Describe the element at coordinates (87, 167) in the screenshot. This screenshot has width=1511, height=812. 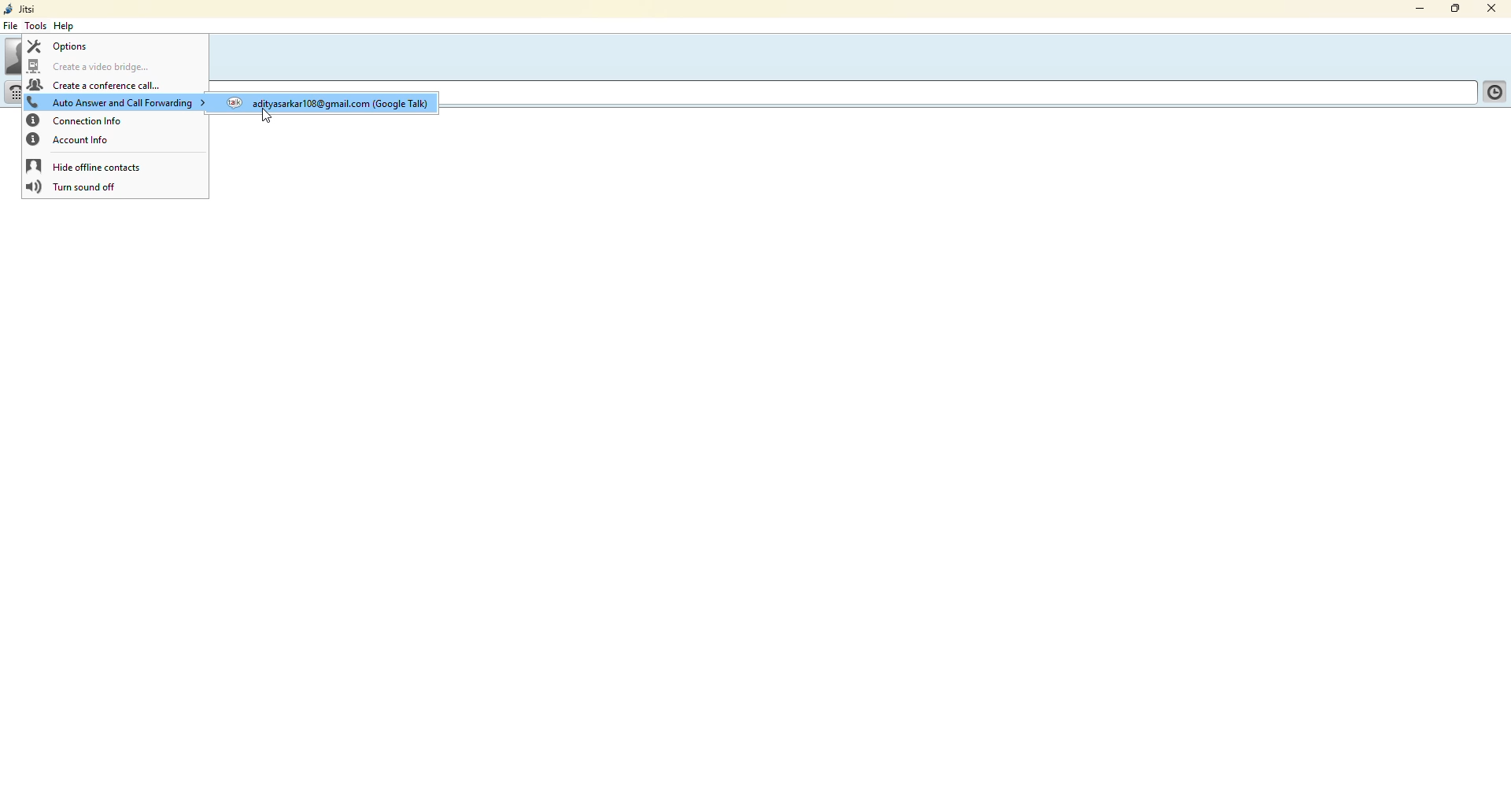
I see `hide offline contacts` at that location.